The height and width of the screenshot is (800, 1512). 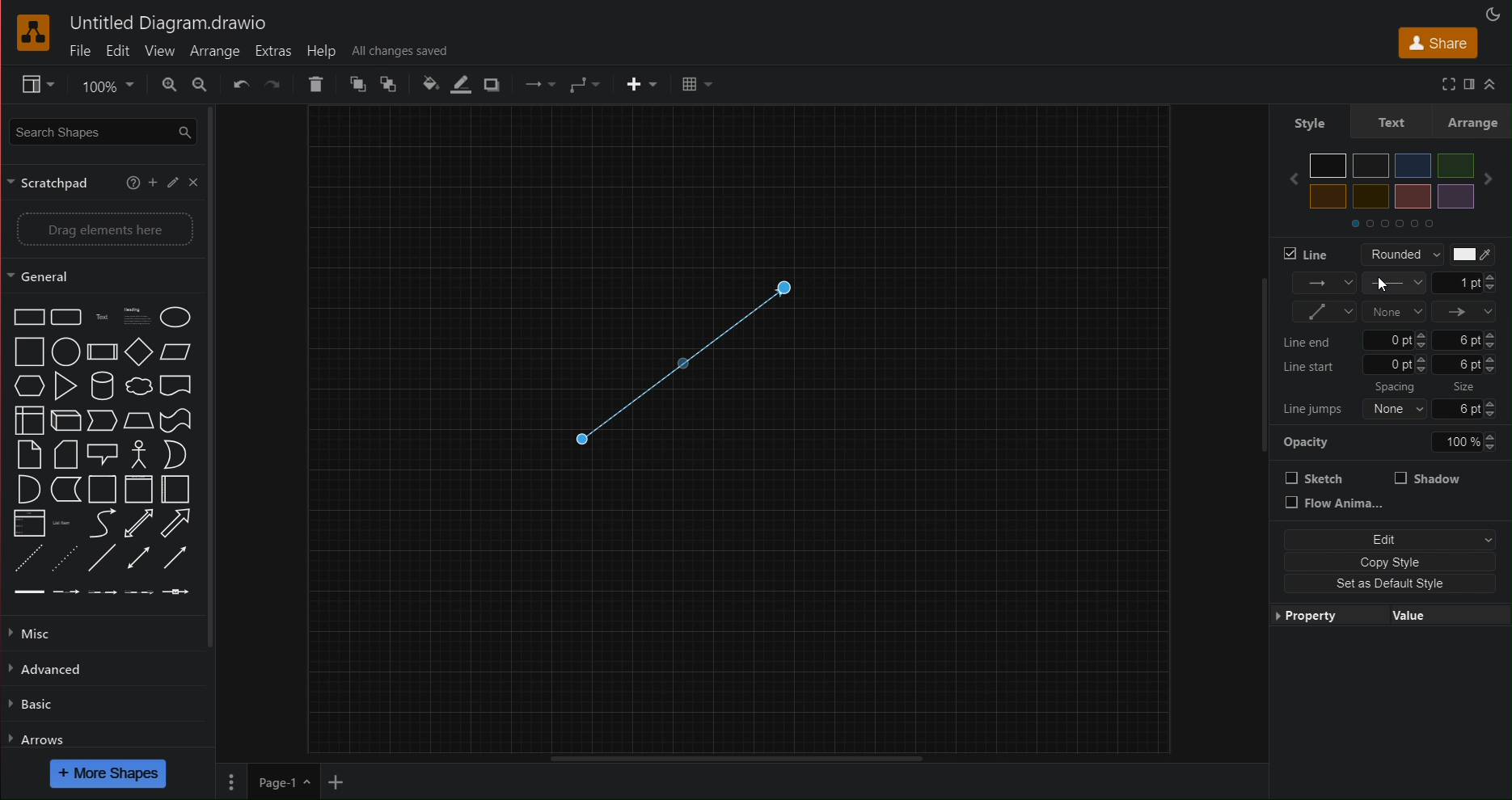 I want to click on File, so click(x=80, y=52).